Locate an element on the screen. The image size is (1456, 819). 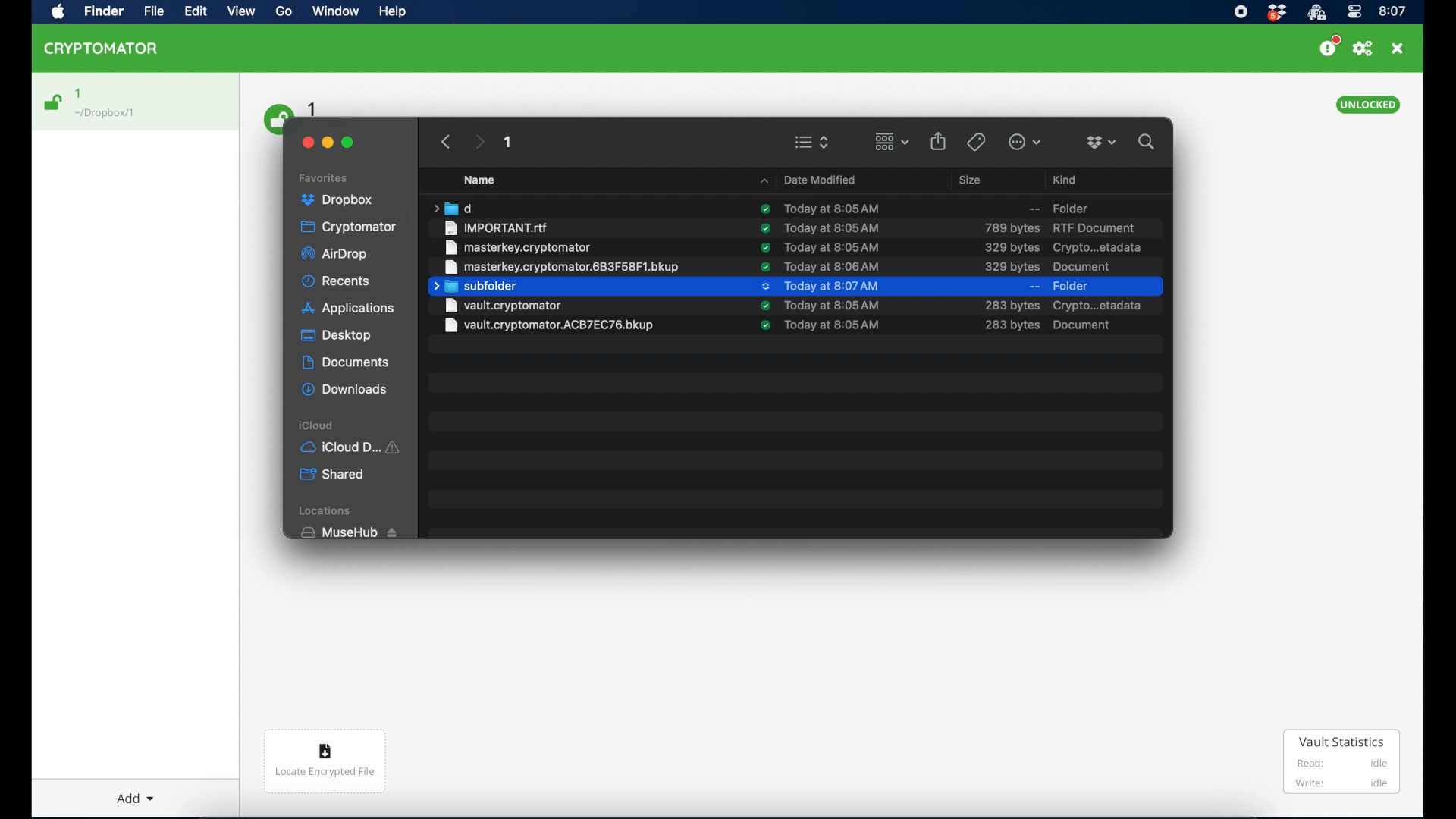
more options is located at coordinates (1025, 142).